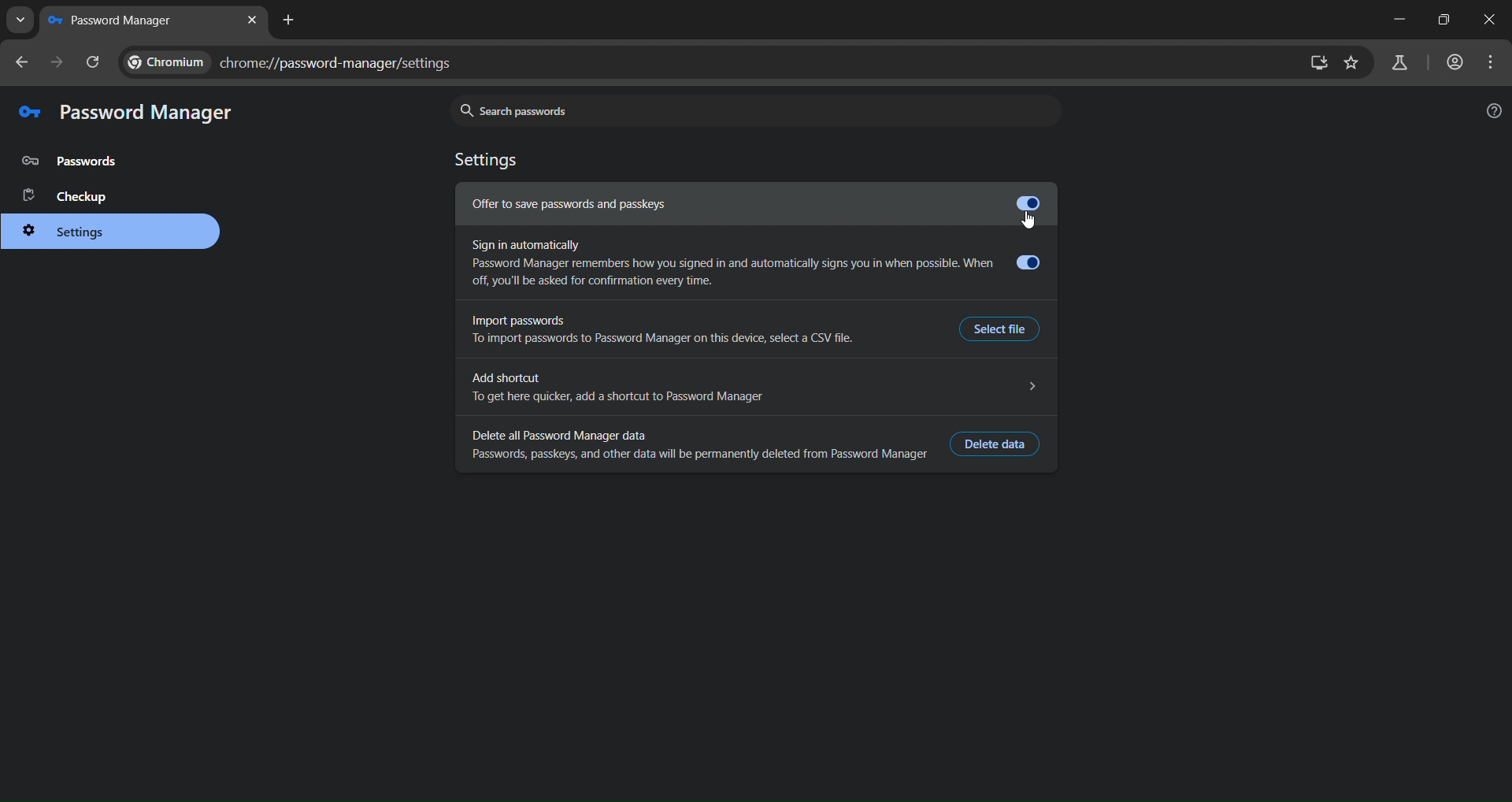 This screenshot has width=1512, height=802. Describe the element at coordinates (1405, 64) in the screenshot. I see `search labs` at that location.